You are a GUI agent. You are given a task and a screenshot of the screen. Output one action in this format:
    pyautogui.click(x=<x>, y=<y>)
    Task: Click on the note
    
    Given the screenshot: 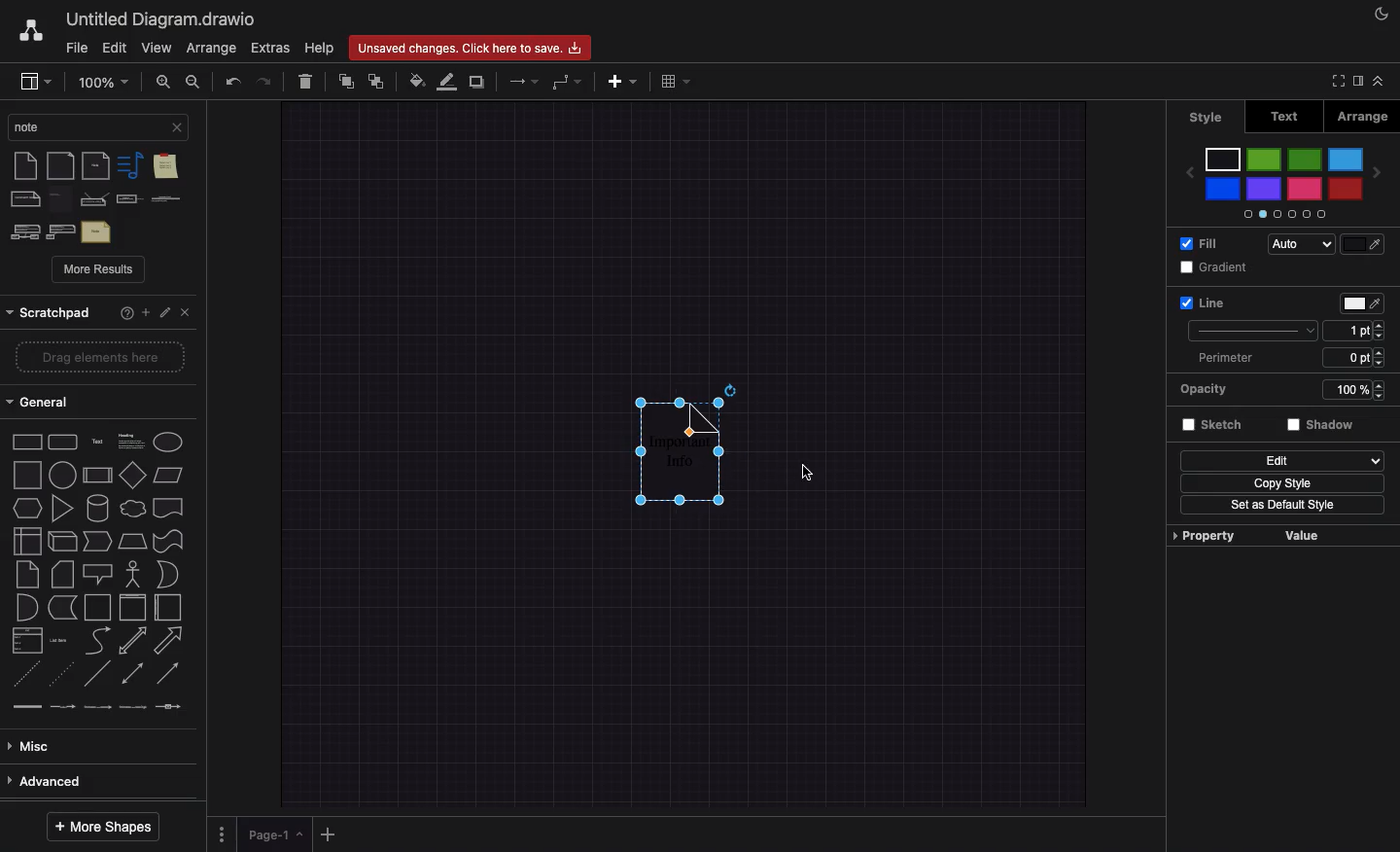 What is the action you would take?
    pyautogui.click(x=62, y=199)
    